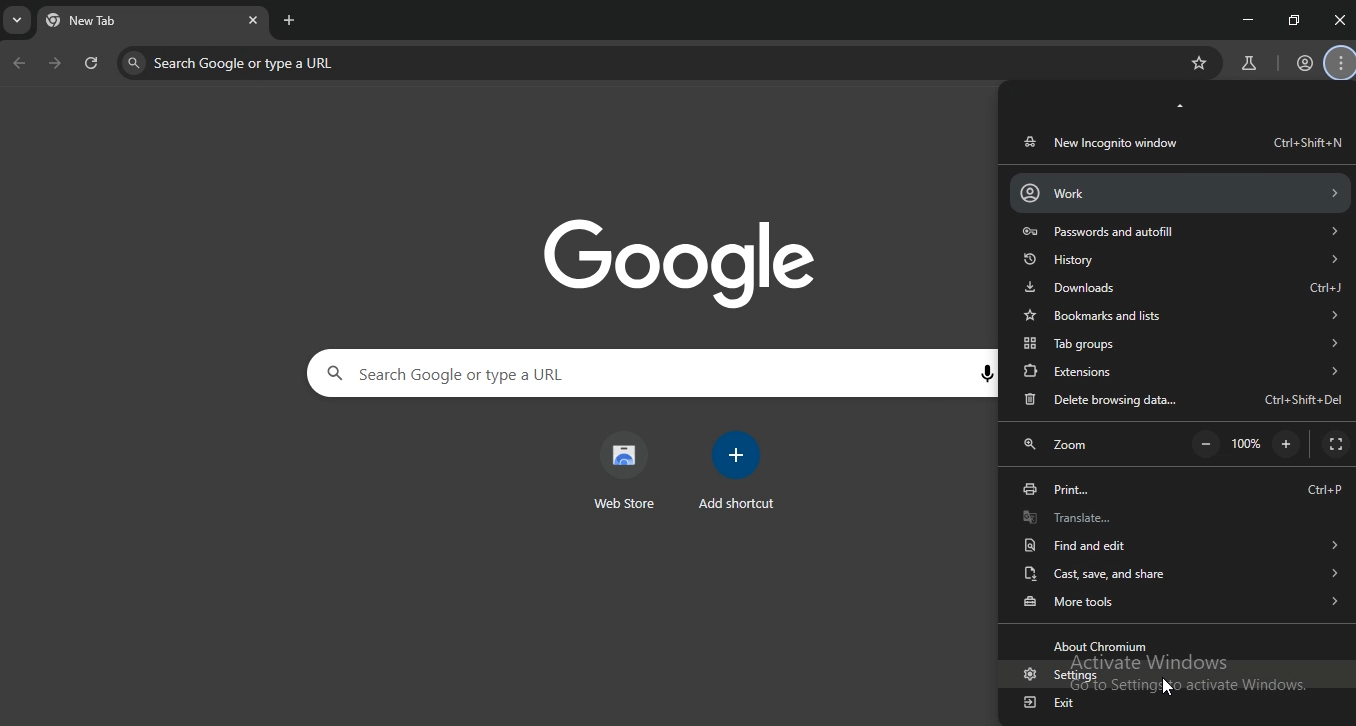  What do you see at coordinates (1180, 345) in the screenshot?
I see `tabgroups` at bounding box center [1180, 345].